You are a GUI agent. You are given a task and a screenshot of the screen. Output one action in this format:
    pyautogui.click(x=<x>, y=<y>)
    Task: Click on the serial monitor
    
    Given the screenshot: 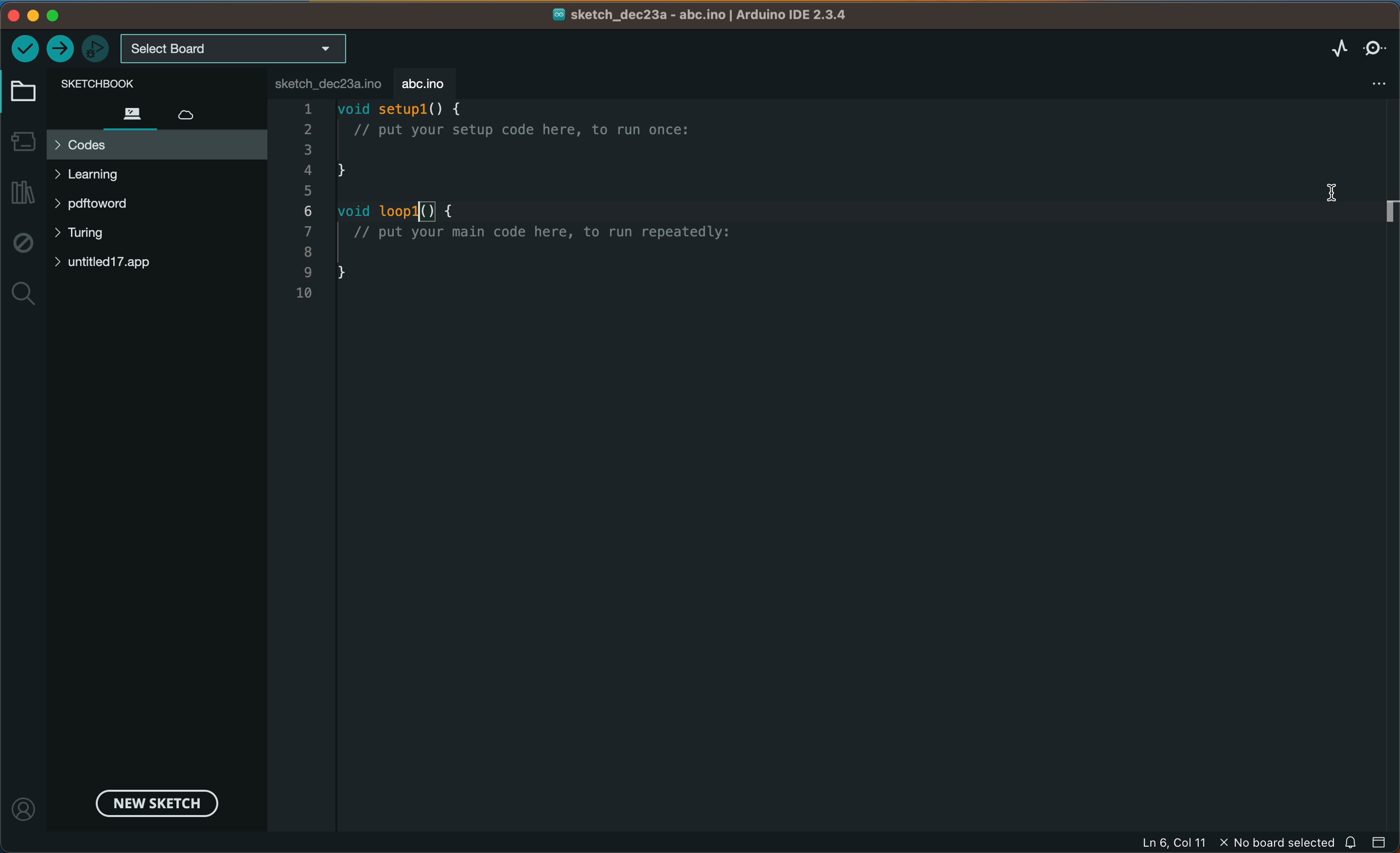 What is the action you would take?
    pyautogui.click(x=1375, y=45)
    